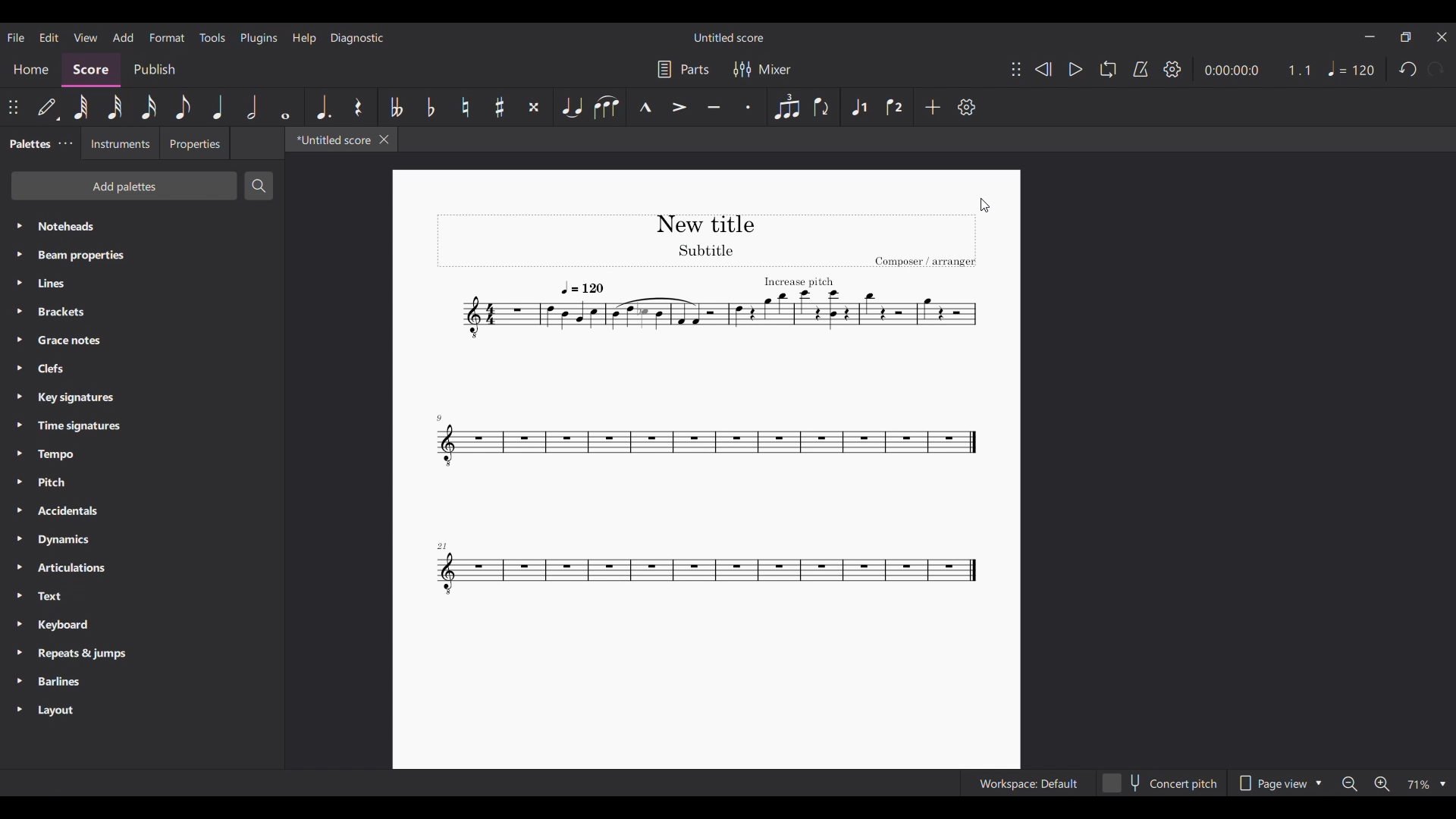  Describe the element at coordinates (645, 108) in the screenshot. I see `Marcato` at that location.